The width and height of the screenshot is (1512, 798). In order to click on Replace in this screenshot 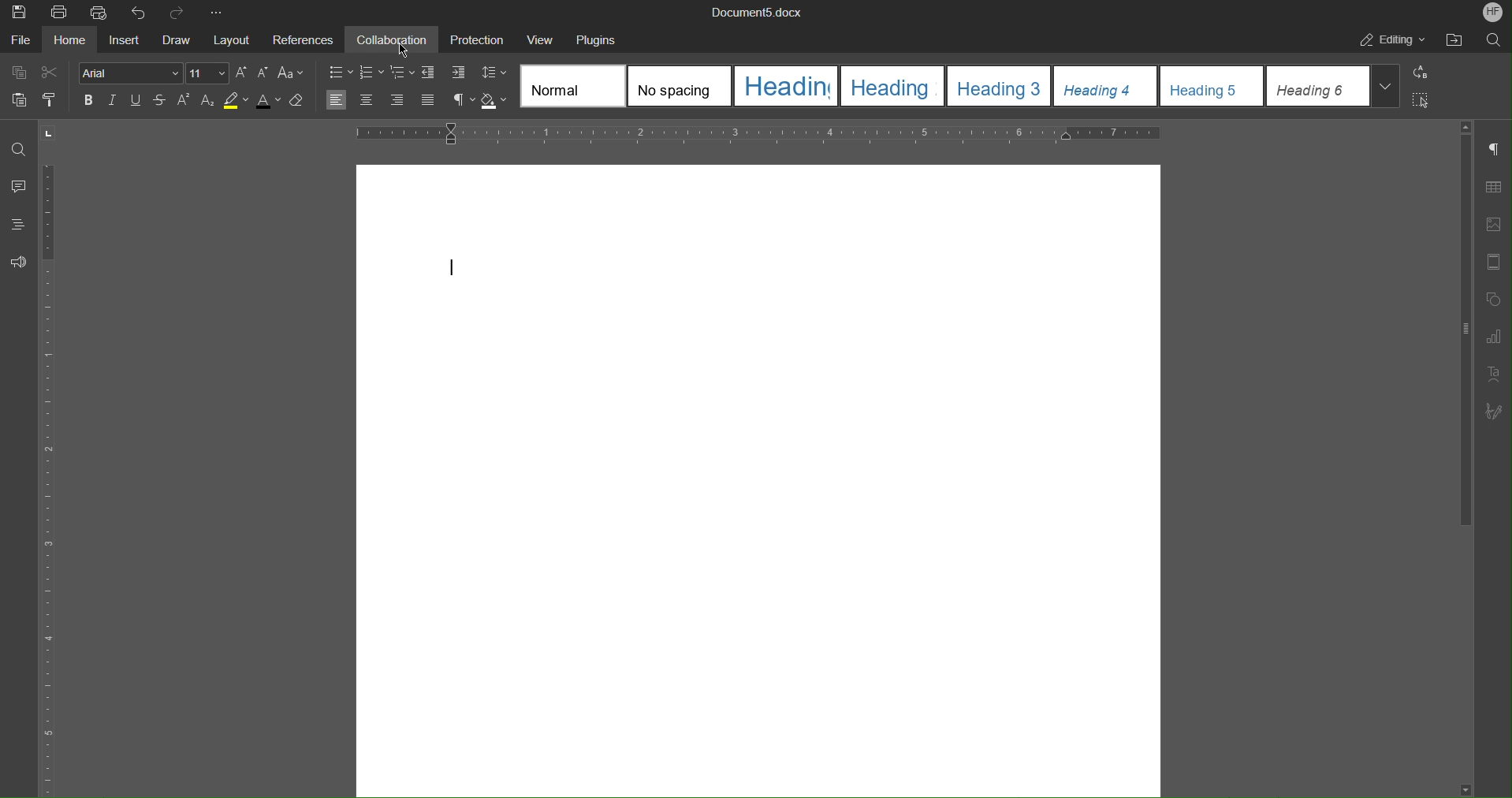, I will do `click(1426, 73)`.